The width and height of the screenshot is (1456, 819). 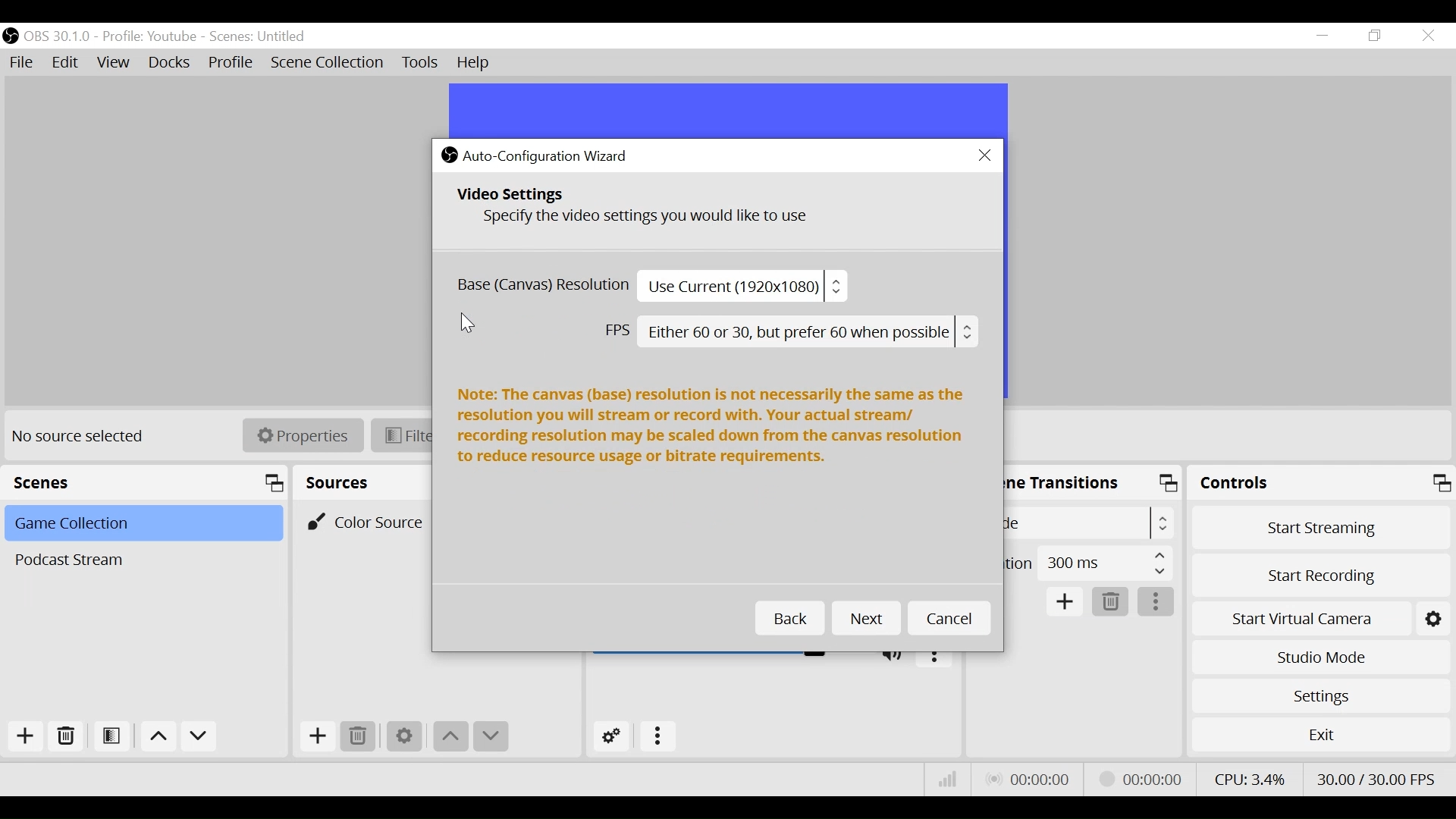 I want to click on move down, so click(x=199, y=737).